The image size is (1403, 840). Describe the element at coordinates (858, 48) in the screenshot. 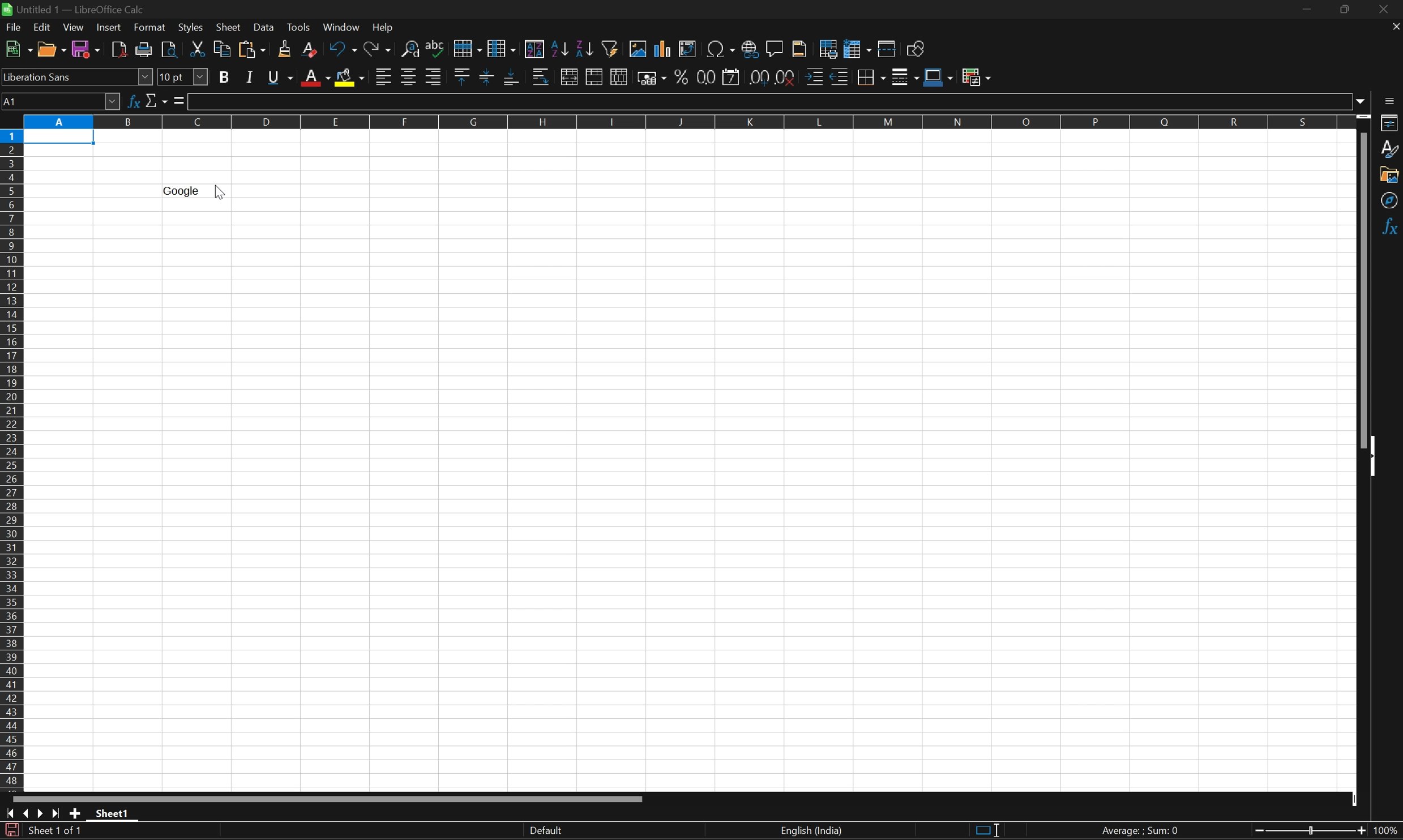

I see `Freeze rows and columns` at that location.